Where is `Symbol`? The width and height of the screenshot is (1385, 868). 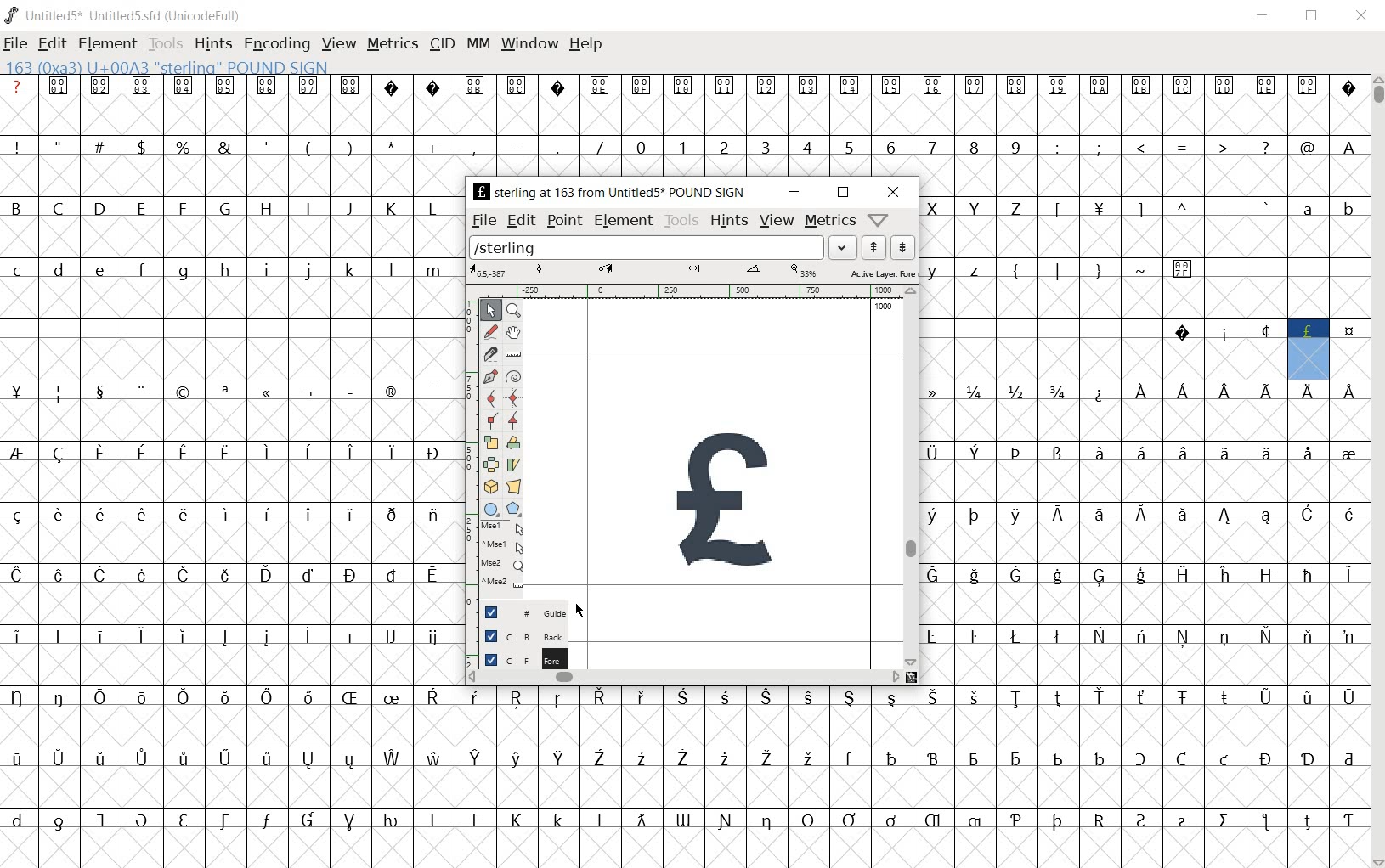 Symbol is located at coordinates (390, 453).